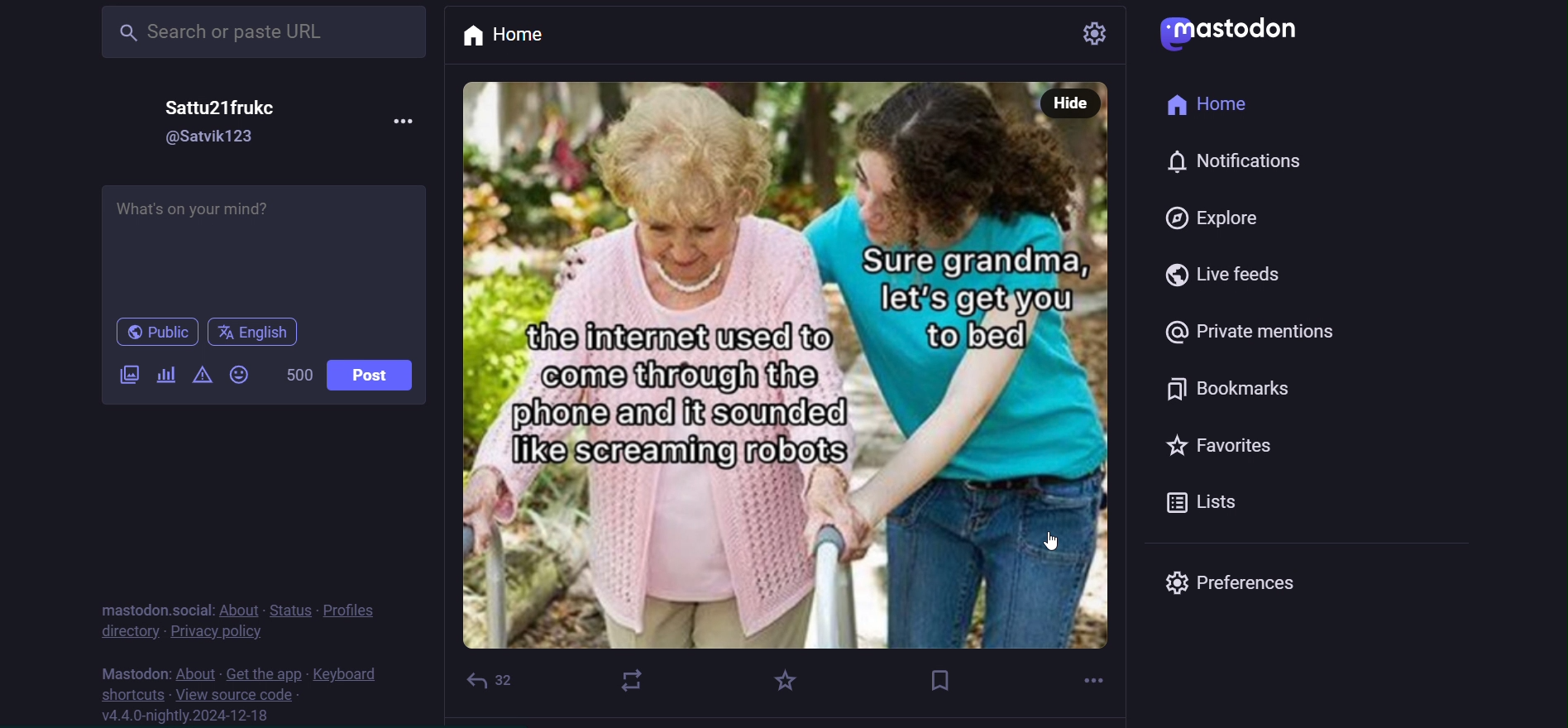 This screenshot has height=728, width=1568. I want to click on preferences, so click(1241, 583).